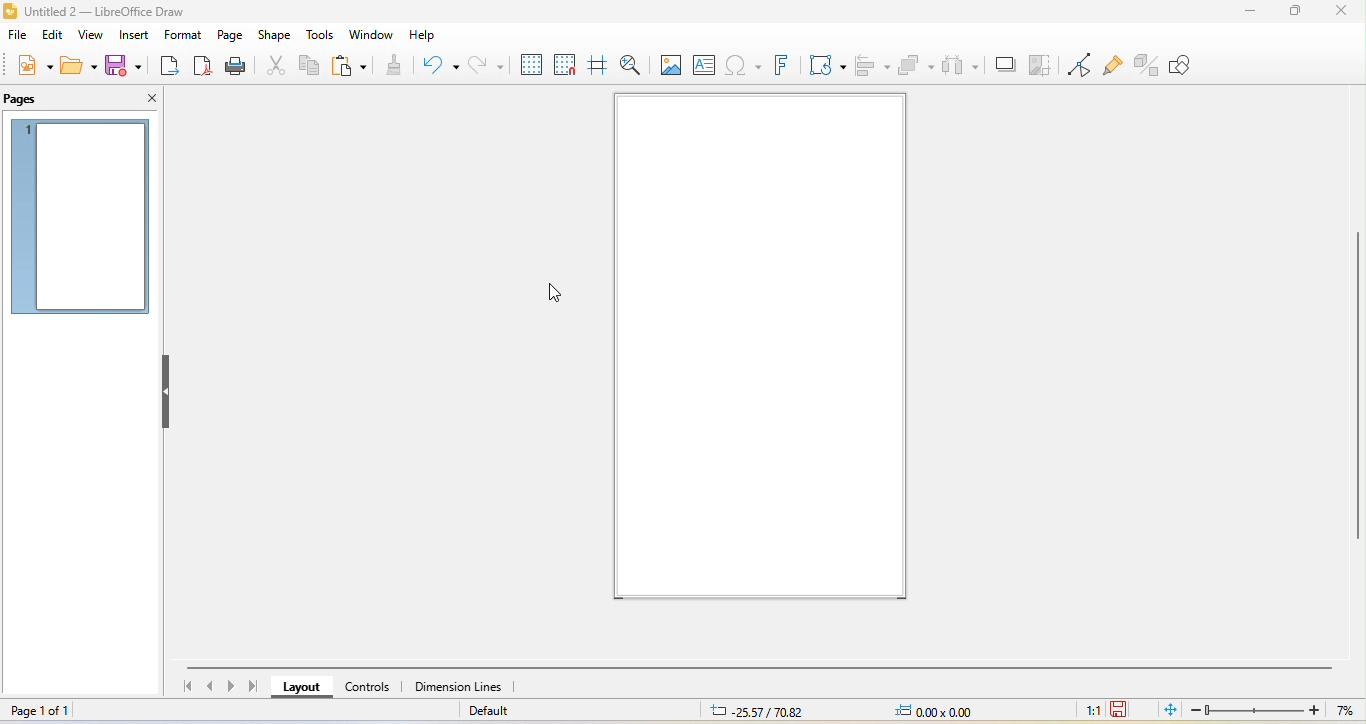 This screenshot has height=724, width=1366. What do you see at coordinates (1169, 709) in the screenshot?
I see `fit page to current window` at bounding box center [1169, 709].